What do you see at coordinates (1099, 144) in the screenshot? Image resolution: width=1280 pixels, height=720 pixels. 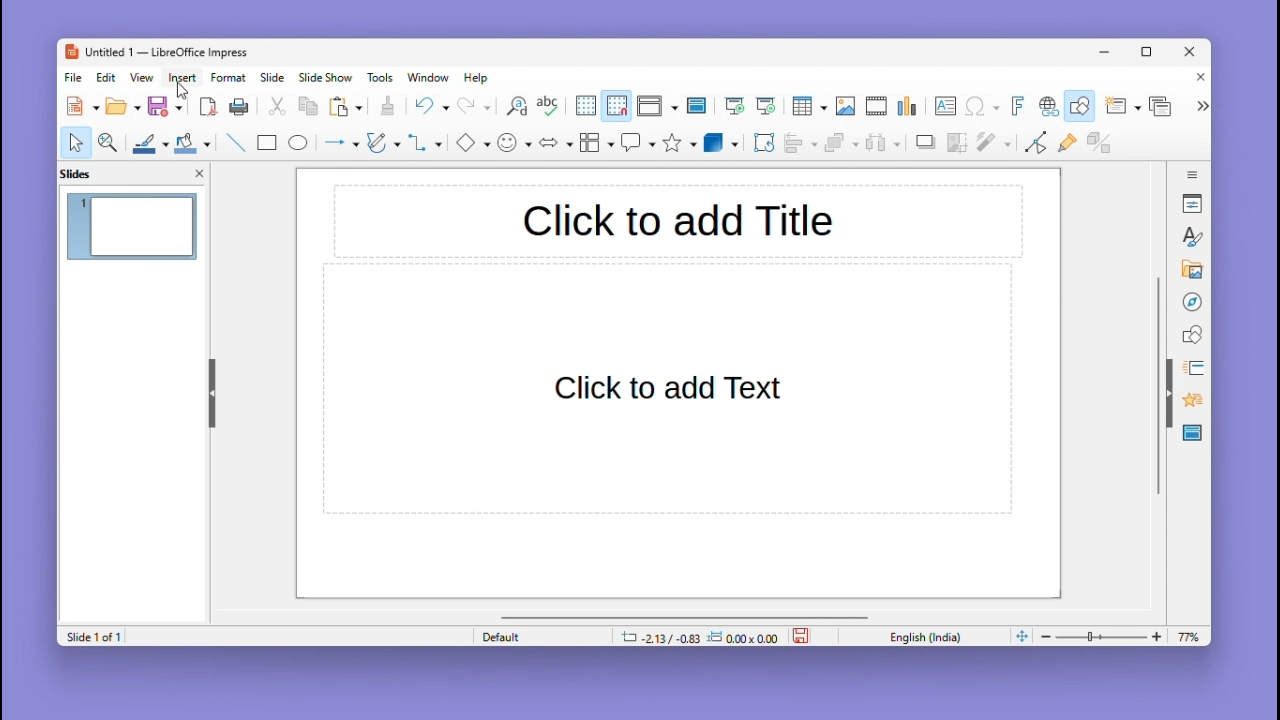 I see `Toggle extrusion` at bounding box center [1099, 144].